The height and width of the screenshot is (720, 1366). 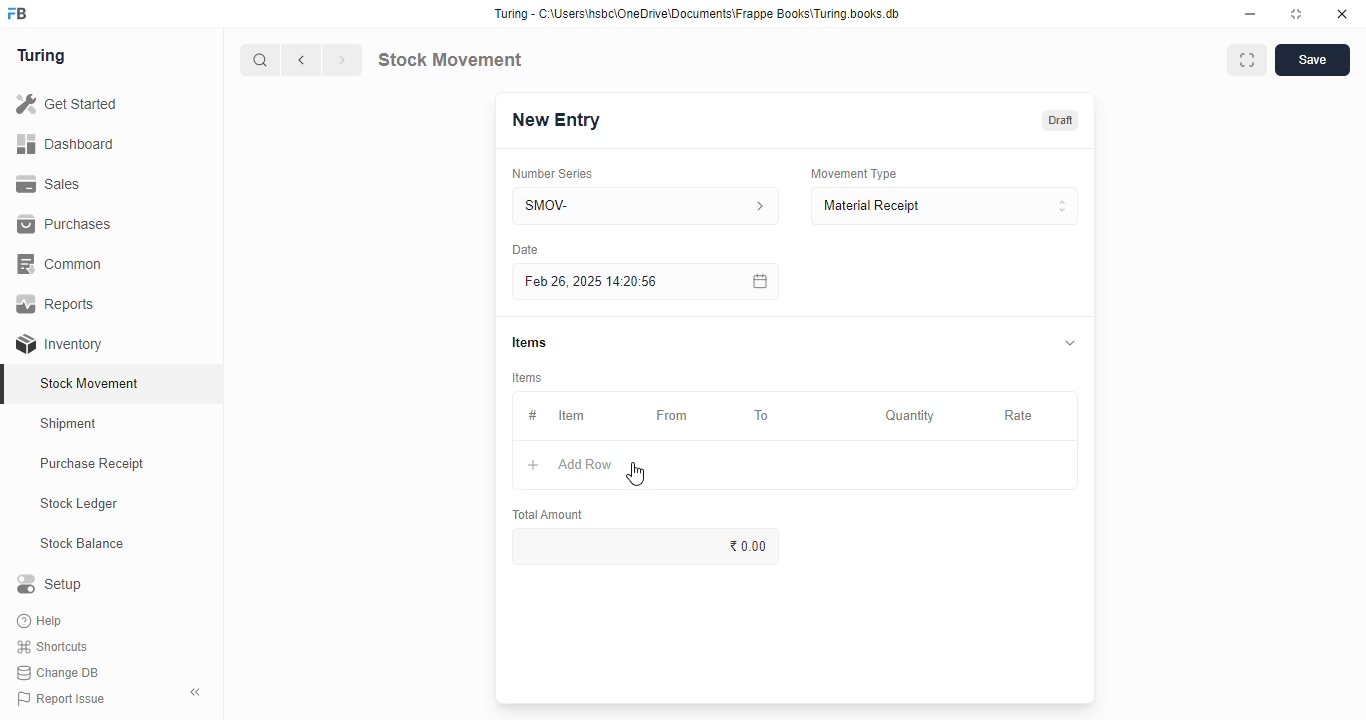 What do you see at coordinates (92, 463) in the screenshot?
I see `purchase receipt` at bounding box center [92, 463].